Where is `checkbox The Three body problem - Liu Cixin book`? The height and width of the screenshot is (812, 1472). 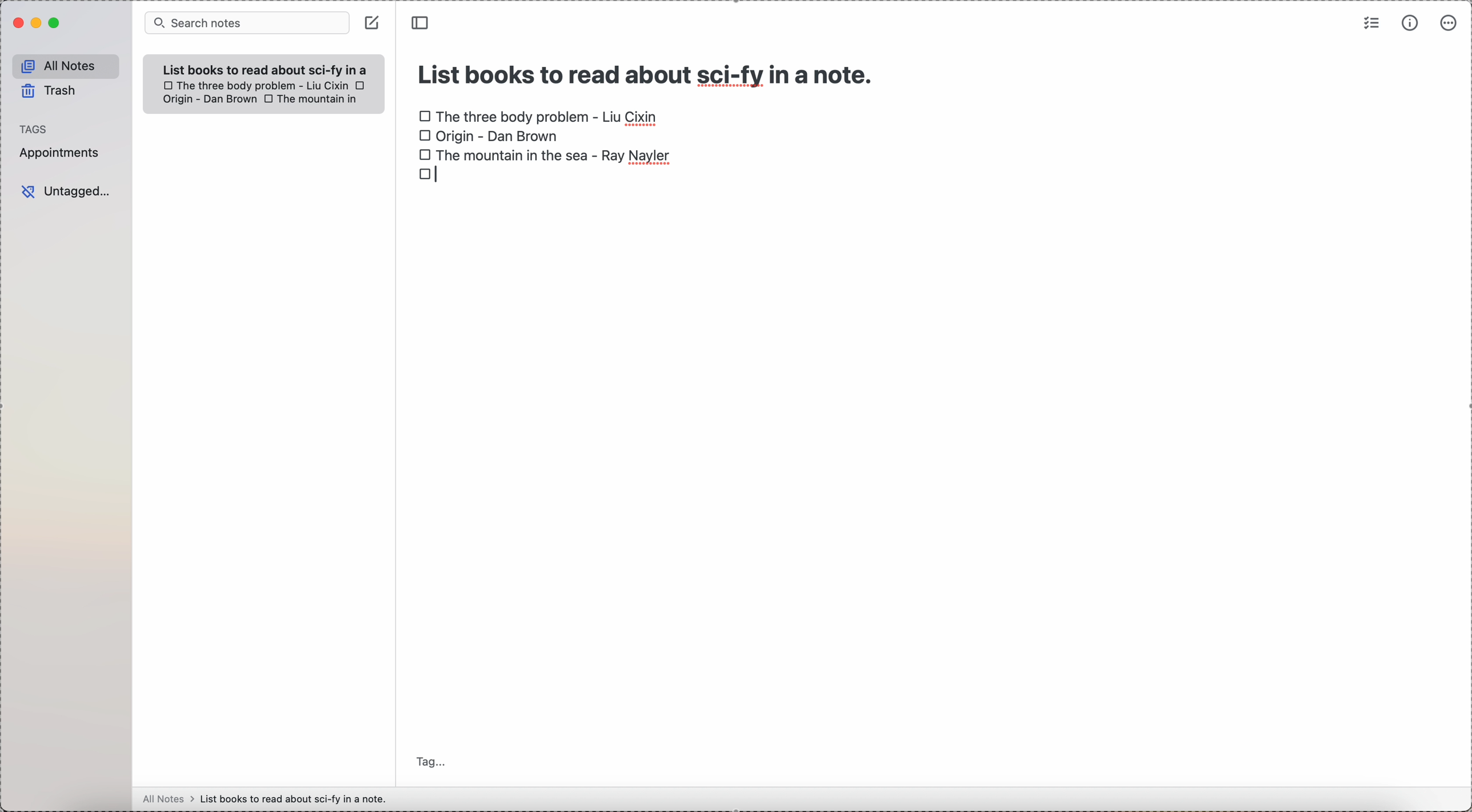
checkbox The Three body problem - Liu Cixin book is located at coordinates (539, 114).